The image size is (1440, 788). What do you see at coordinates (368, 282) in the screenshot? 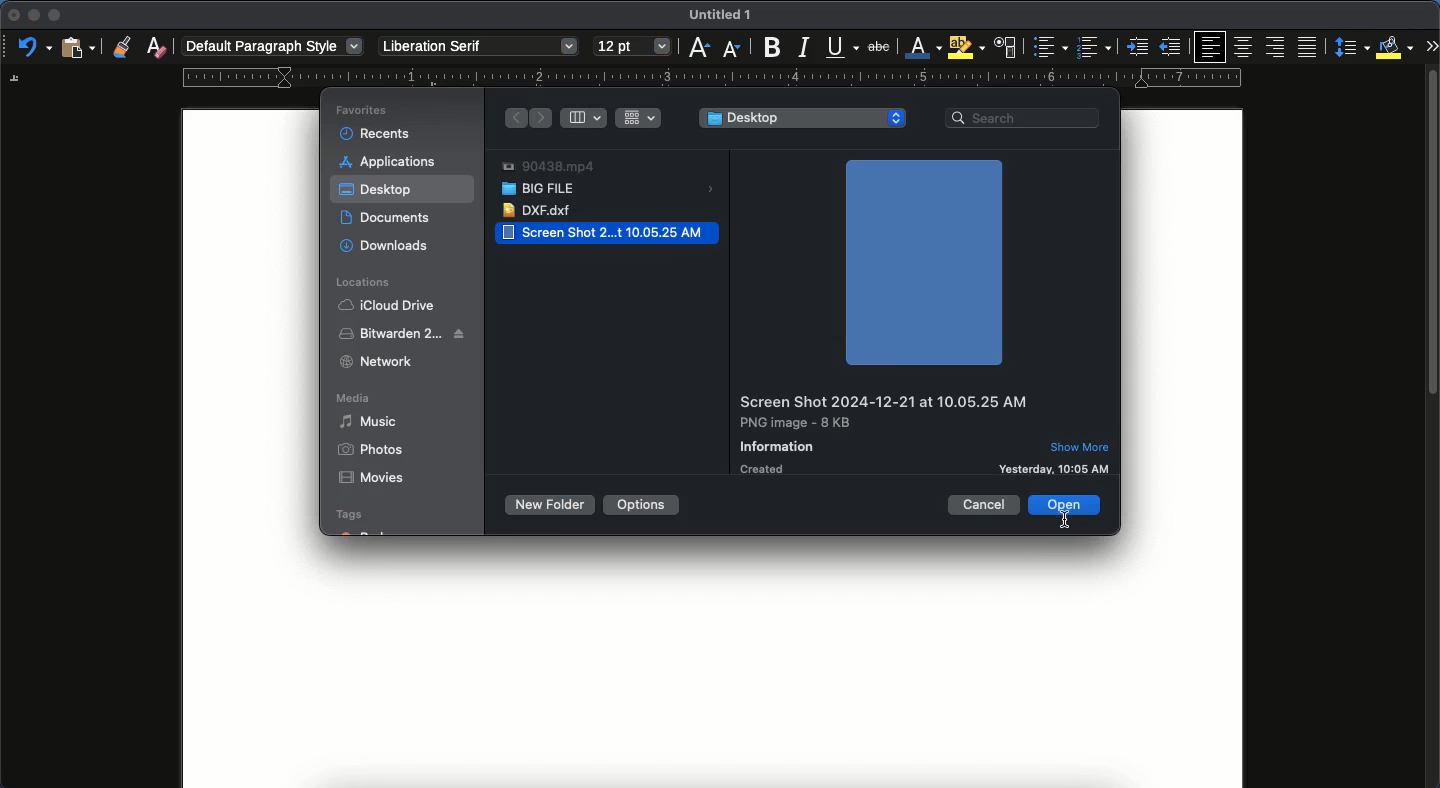
I see `location` at bounding box center [368, 282].